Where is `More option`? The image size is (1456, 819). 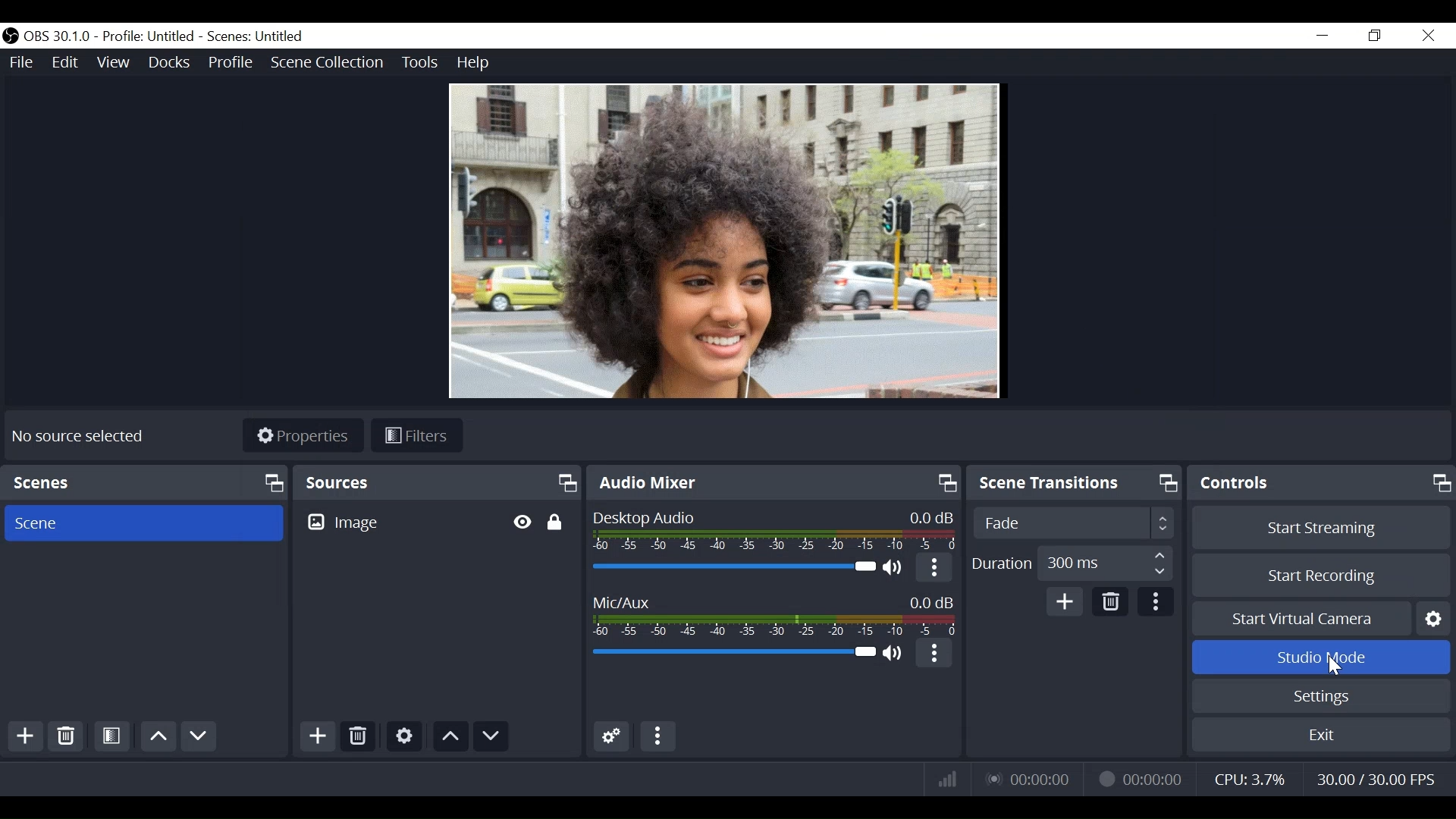 More option is located at coordinates (938, 569).